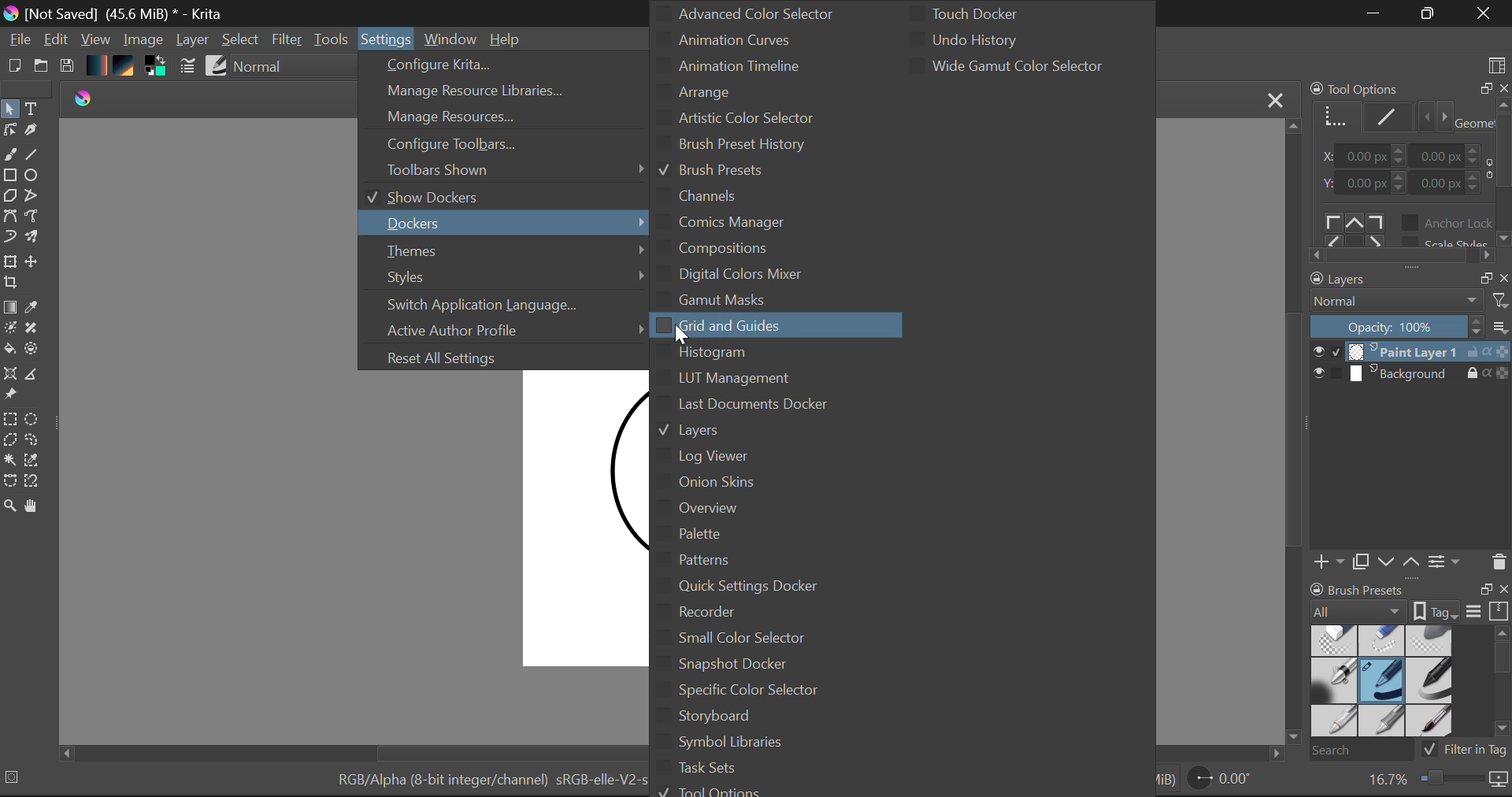  Describe the element at coordinates (680, 331) in the screenshot. I see `Cursor on Grid and Guides` at that location.